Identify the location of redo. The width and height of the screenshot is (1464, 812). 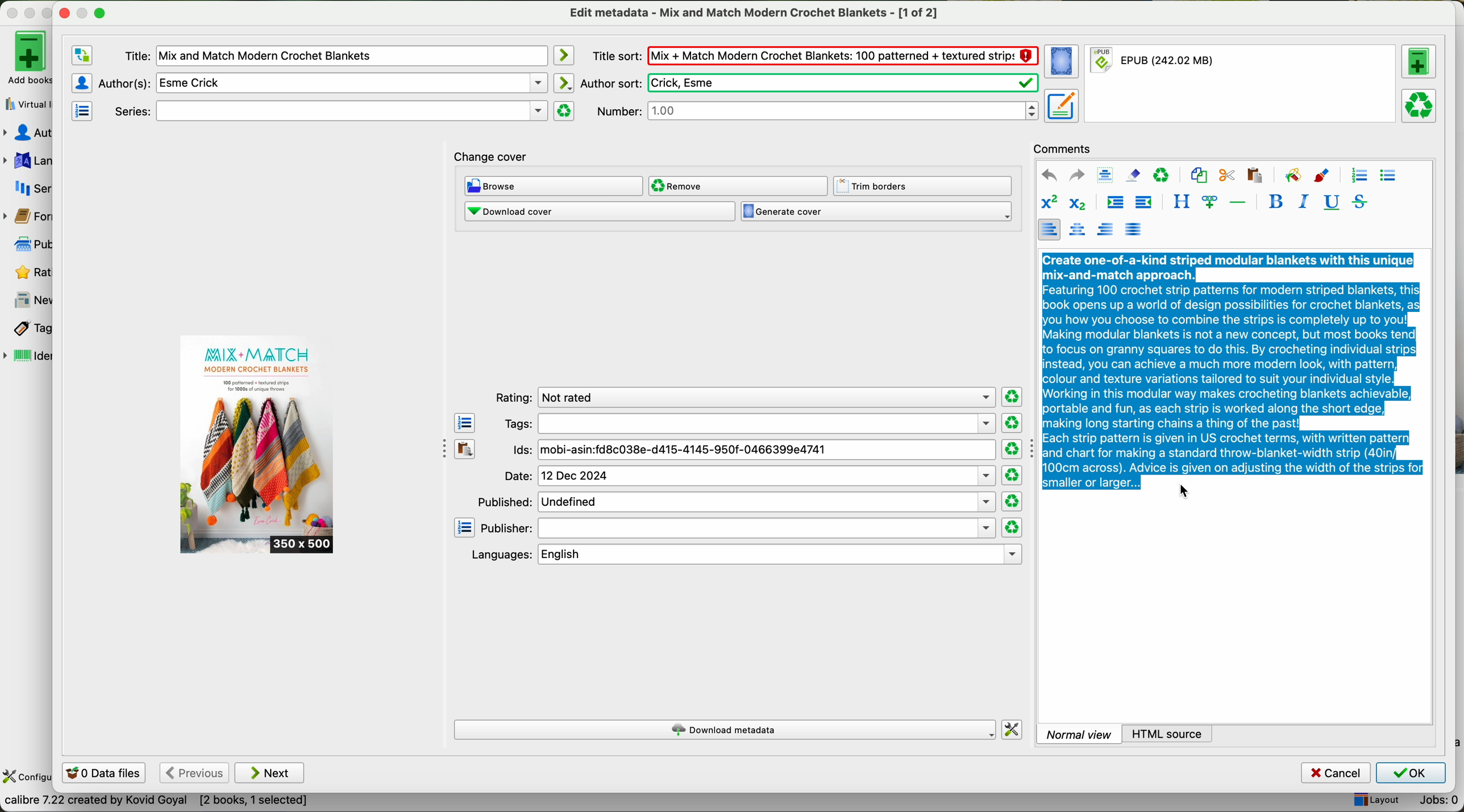
(1076, 174).